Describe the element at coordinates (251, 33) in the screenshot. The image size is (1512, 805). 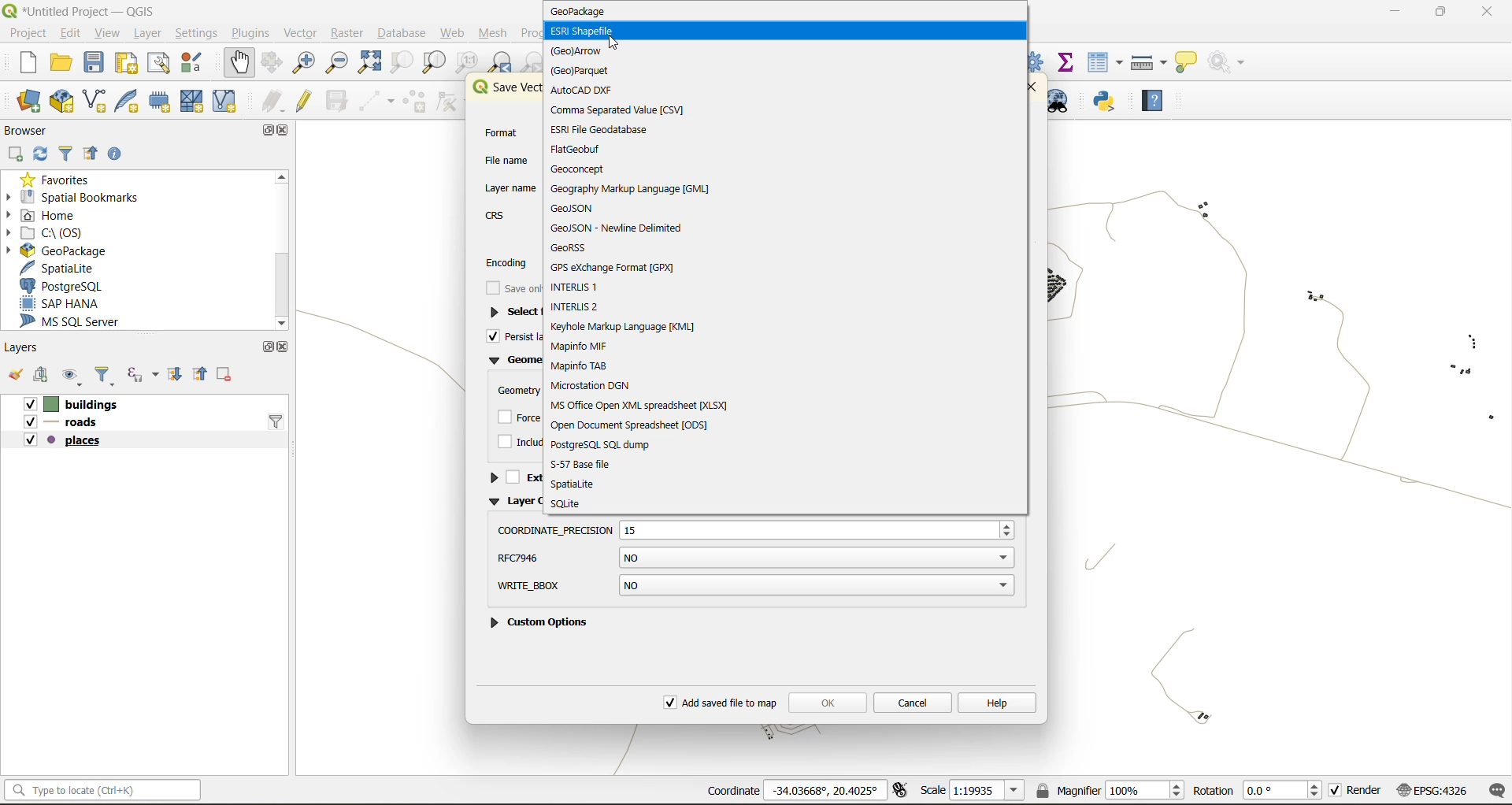
I see `plugins` at that location.